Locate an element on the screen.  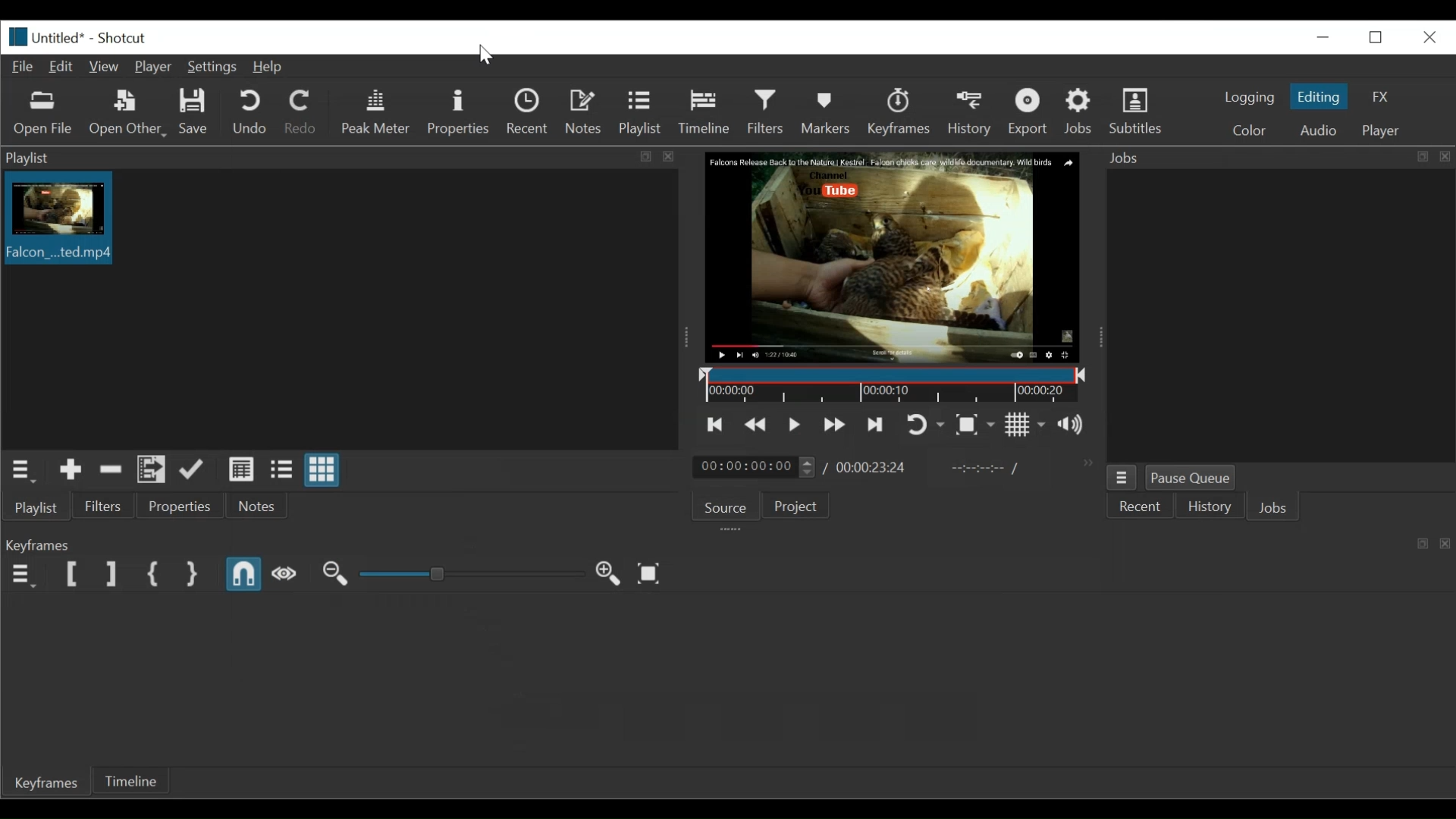
Export is located at coordinates (1029, 115).